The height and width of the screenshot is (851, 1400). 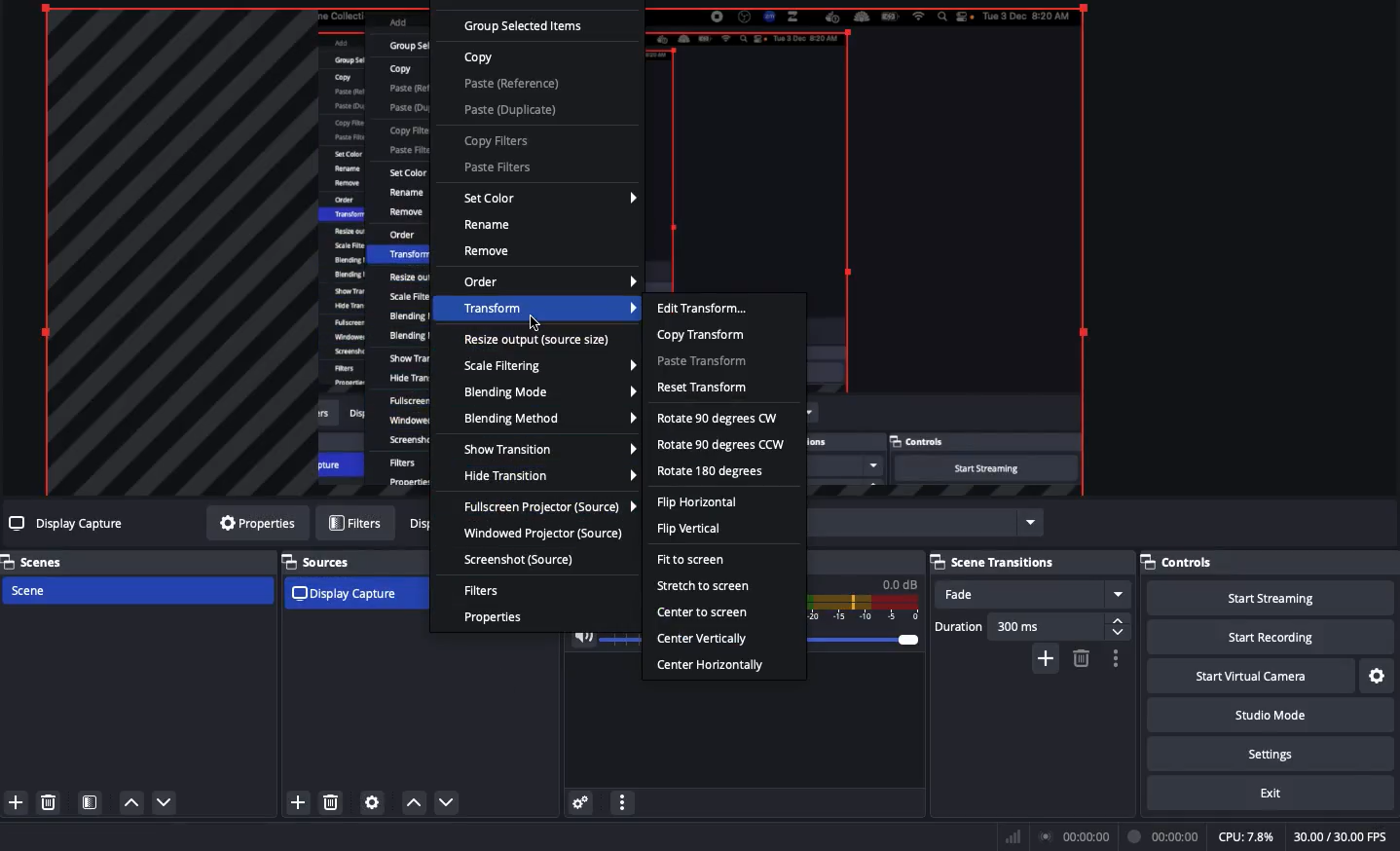 What do you see at coordinates (414, 803) in the screenshot?
I see `move up` at bounding box center [414, 803].